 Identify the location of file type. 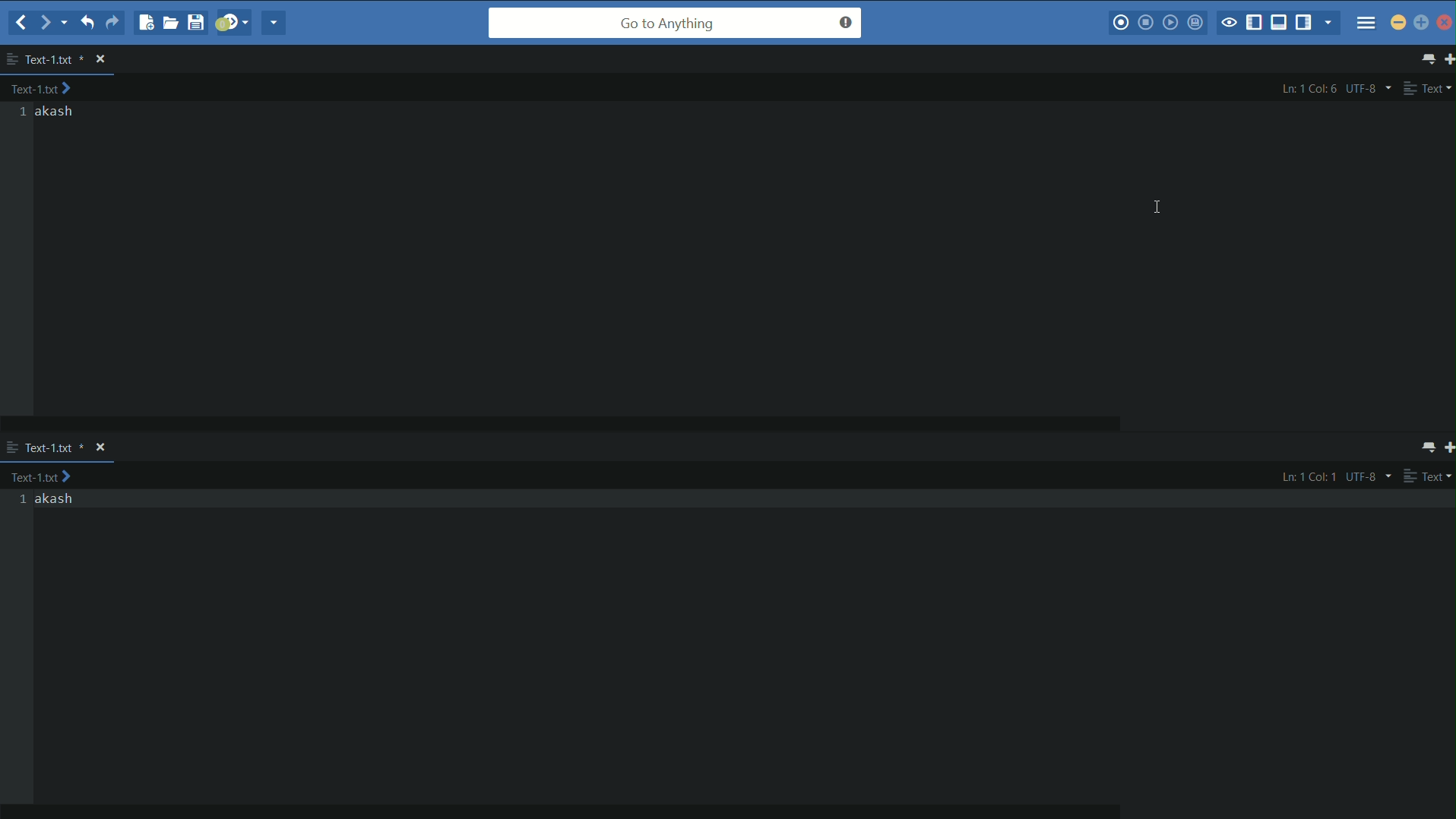
(1429, 87).